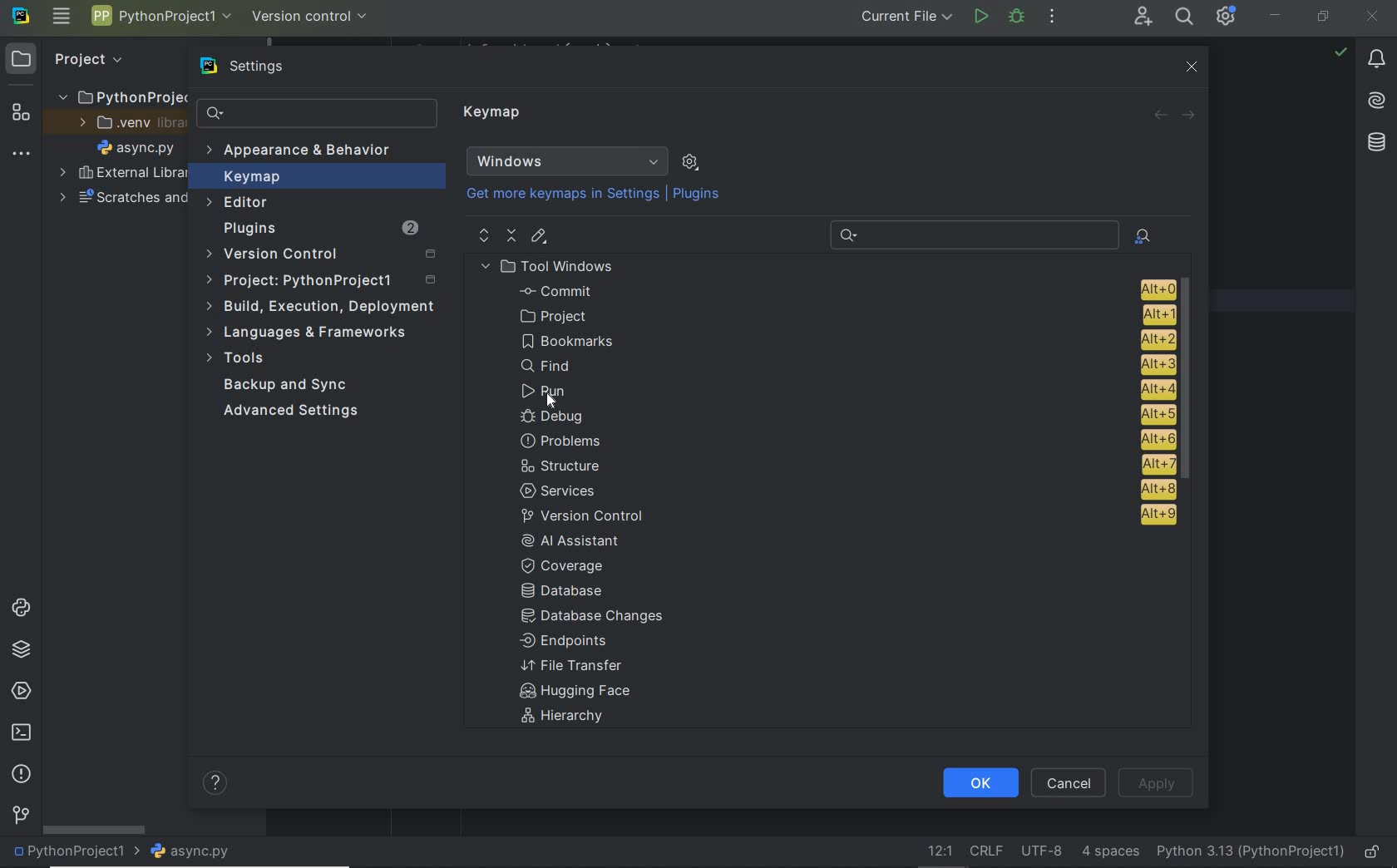 Image resolution: width=1397 pixels, height=868 pixels. Describe the element at coordinates (317, 113) in the screenshot. I see `search settings` at that location.